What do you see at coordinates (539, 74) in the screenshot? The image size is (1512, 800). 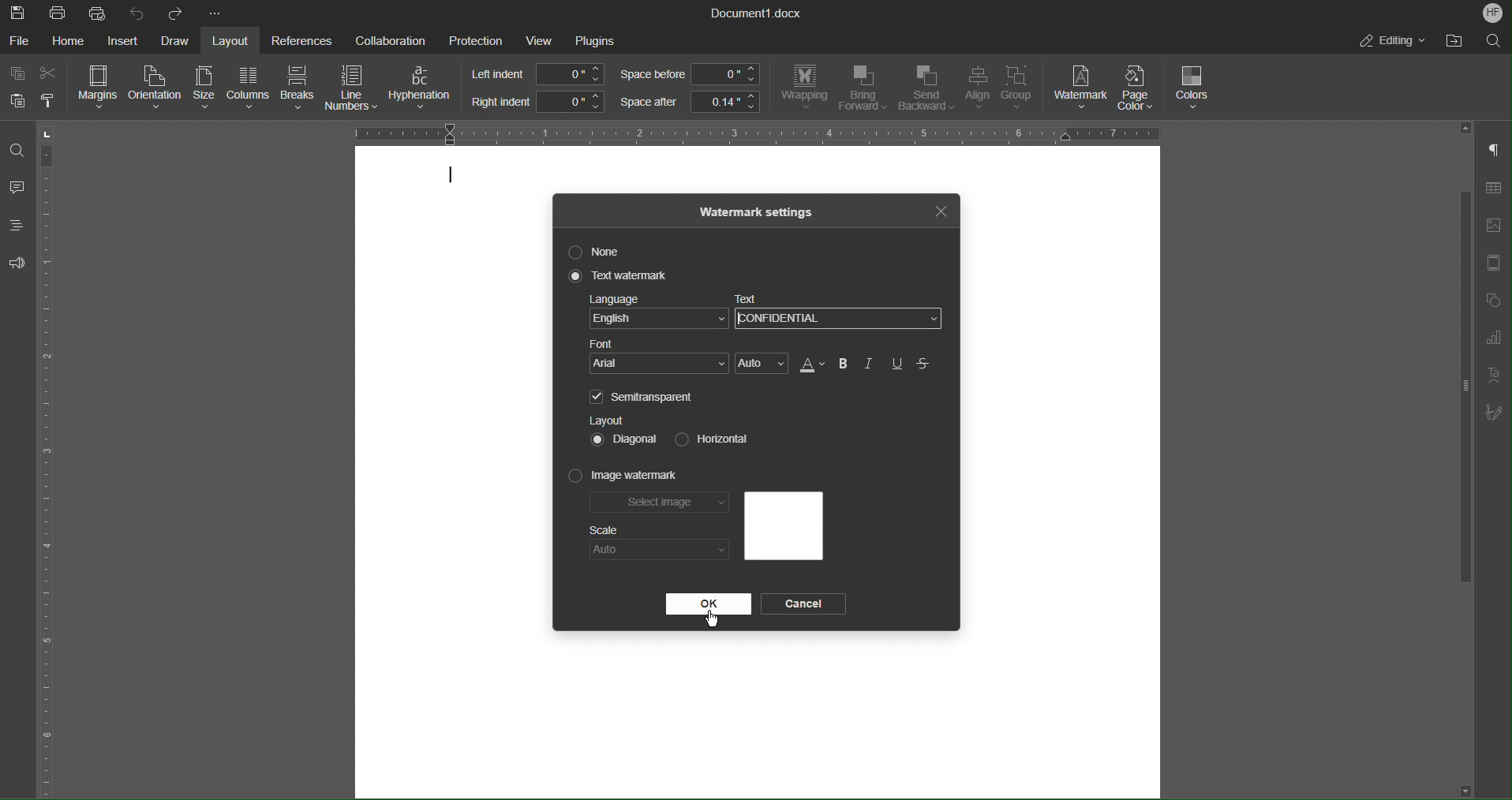 I see `Left indent` at bounding box center [539, 74].